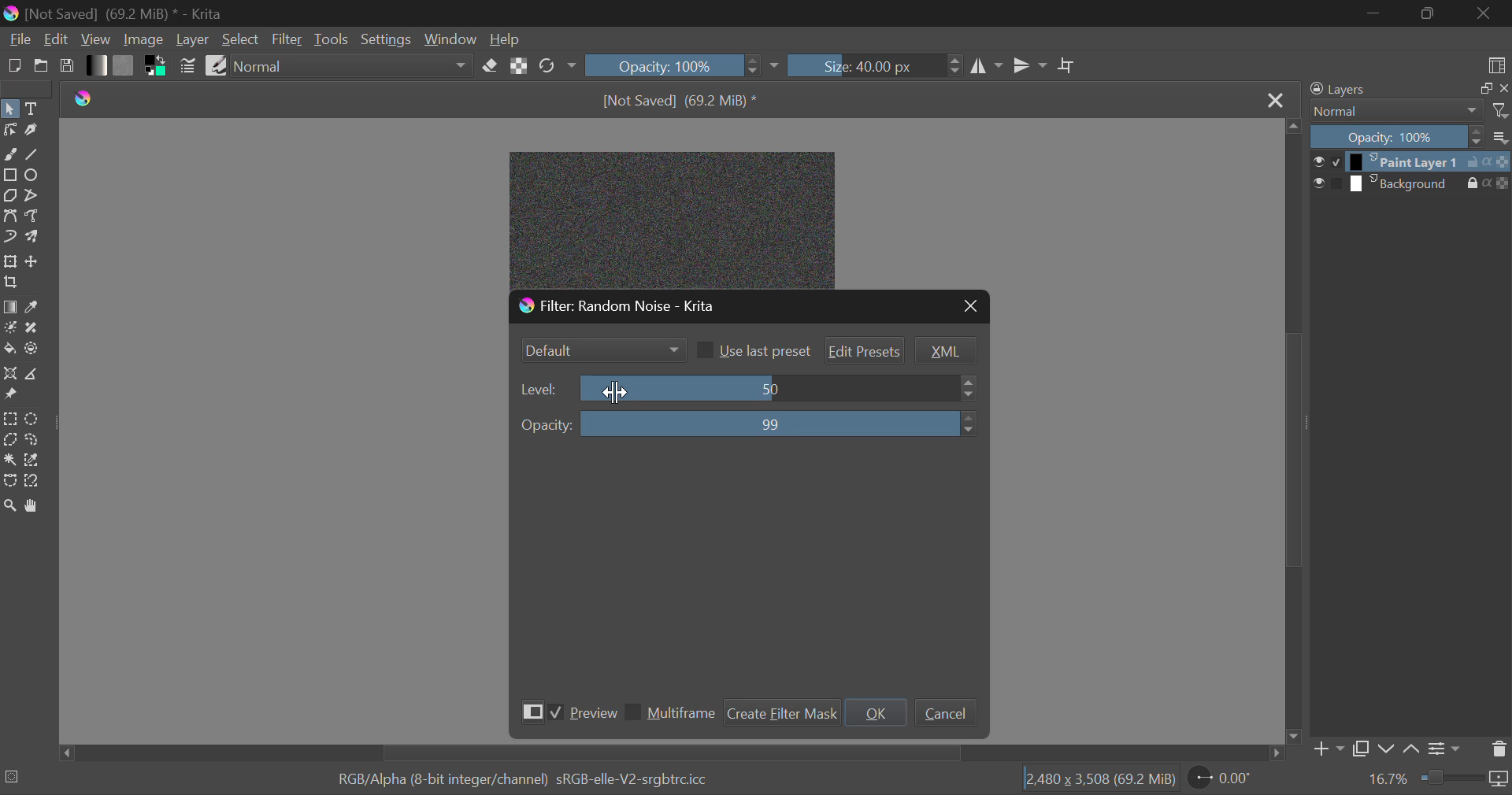 This screenshot has height=795, width=1512. Describe the element at coordinates (64, 752) in the screenshot. I see `move left` at that location.